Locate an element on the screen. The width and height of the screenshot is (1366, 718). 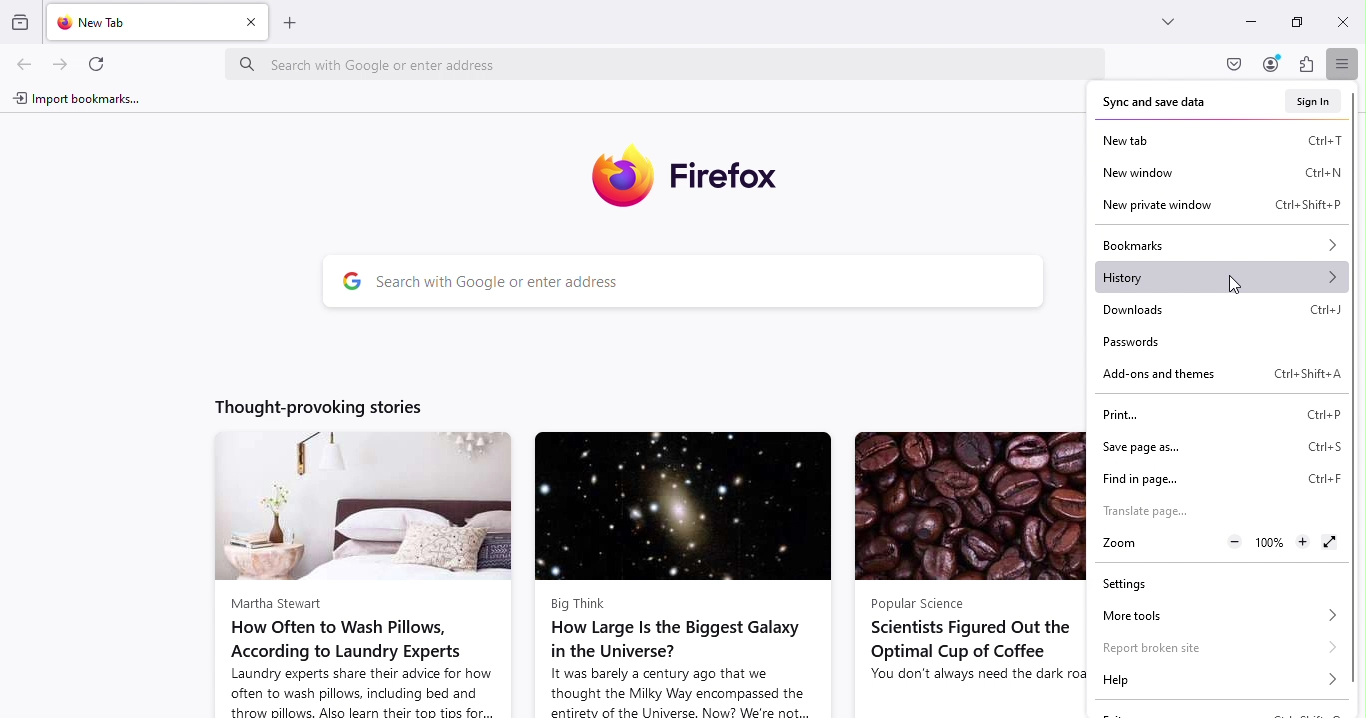
Close tab is located at coordinates (249, 23).